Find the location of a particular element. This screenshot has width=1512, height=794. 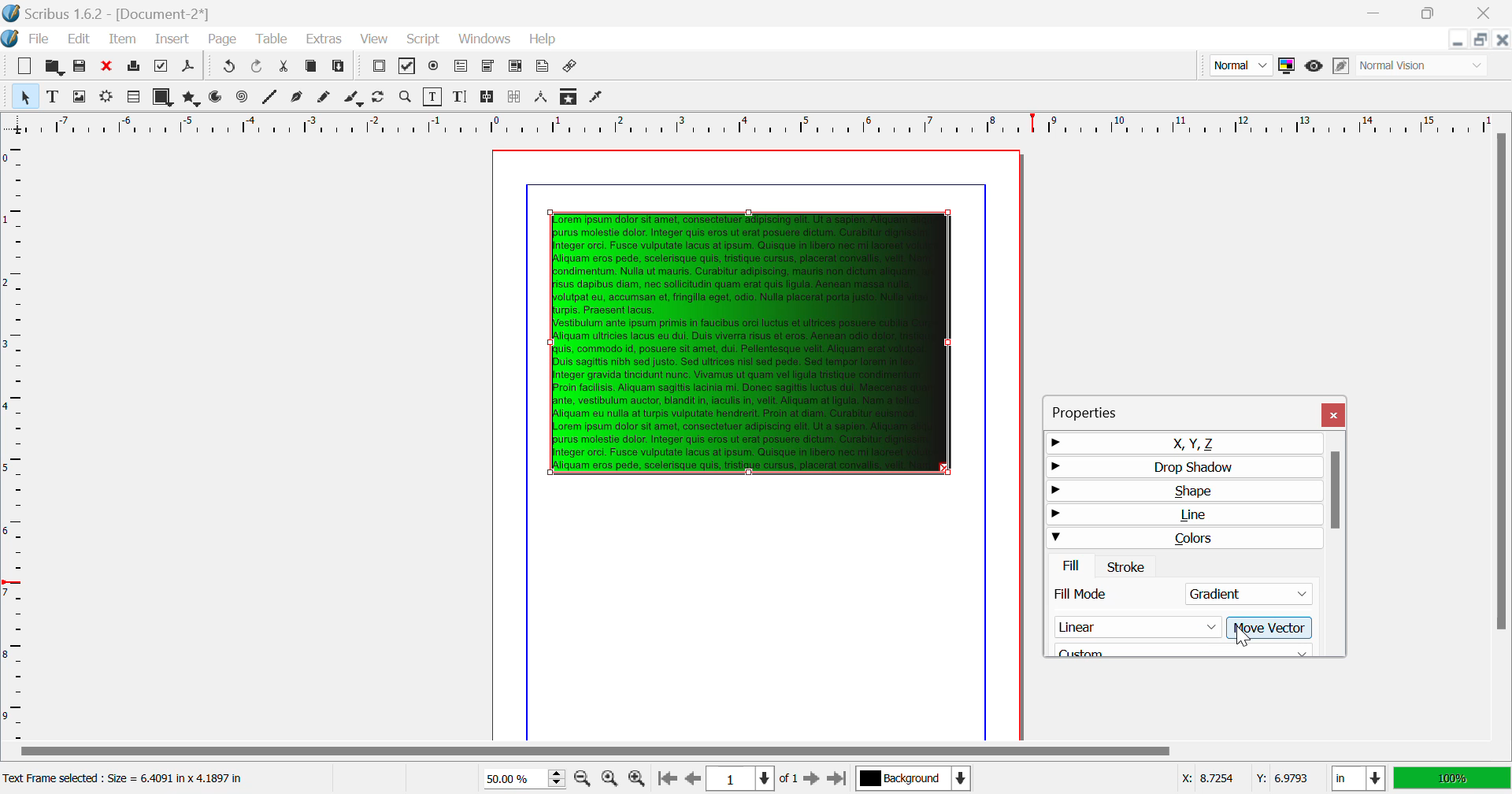

Image Frame is located at coordinates (79, 96).